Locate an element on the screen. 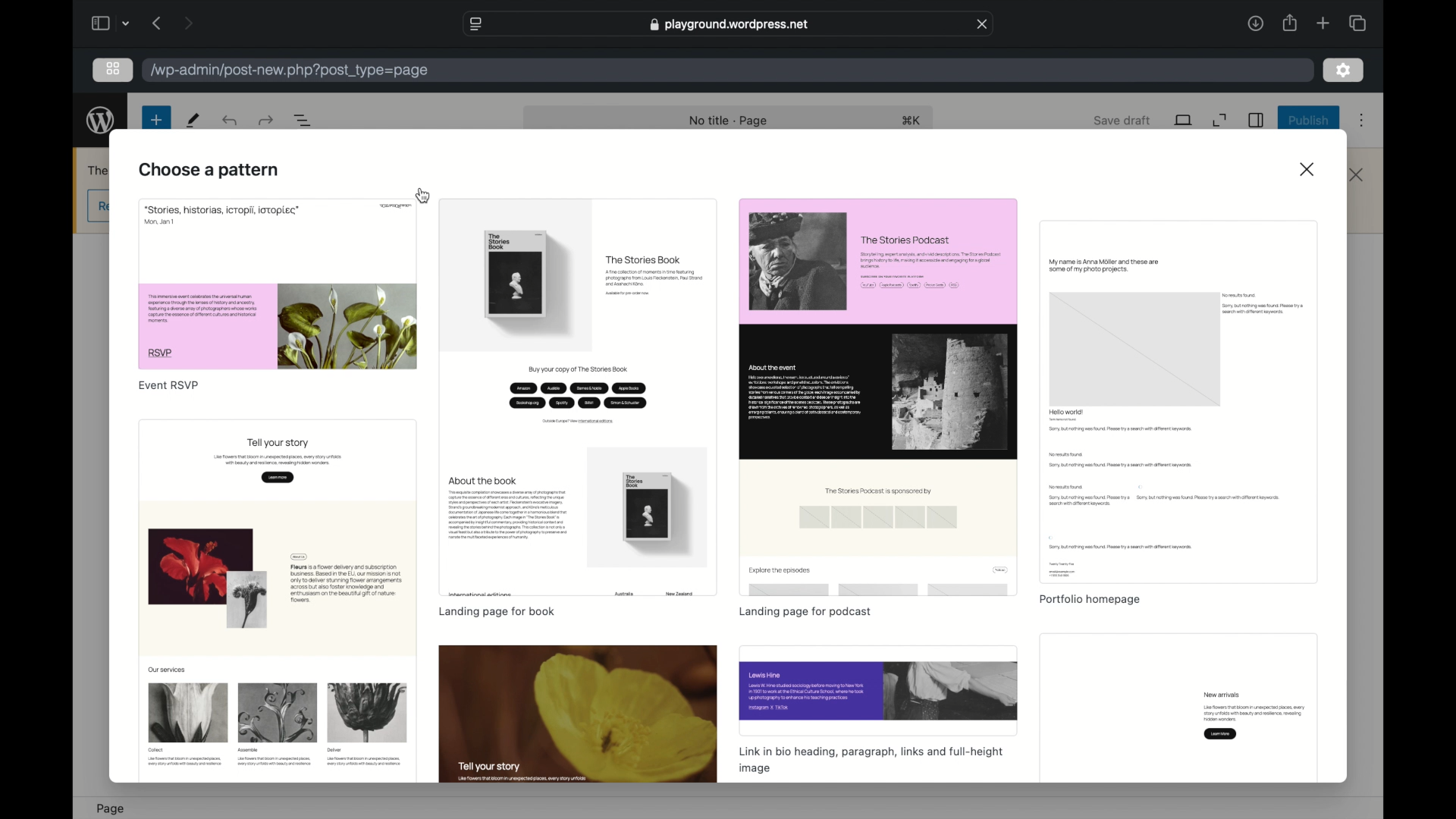  sidebar is located at coordinates (99, 23).